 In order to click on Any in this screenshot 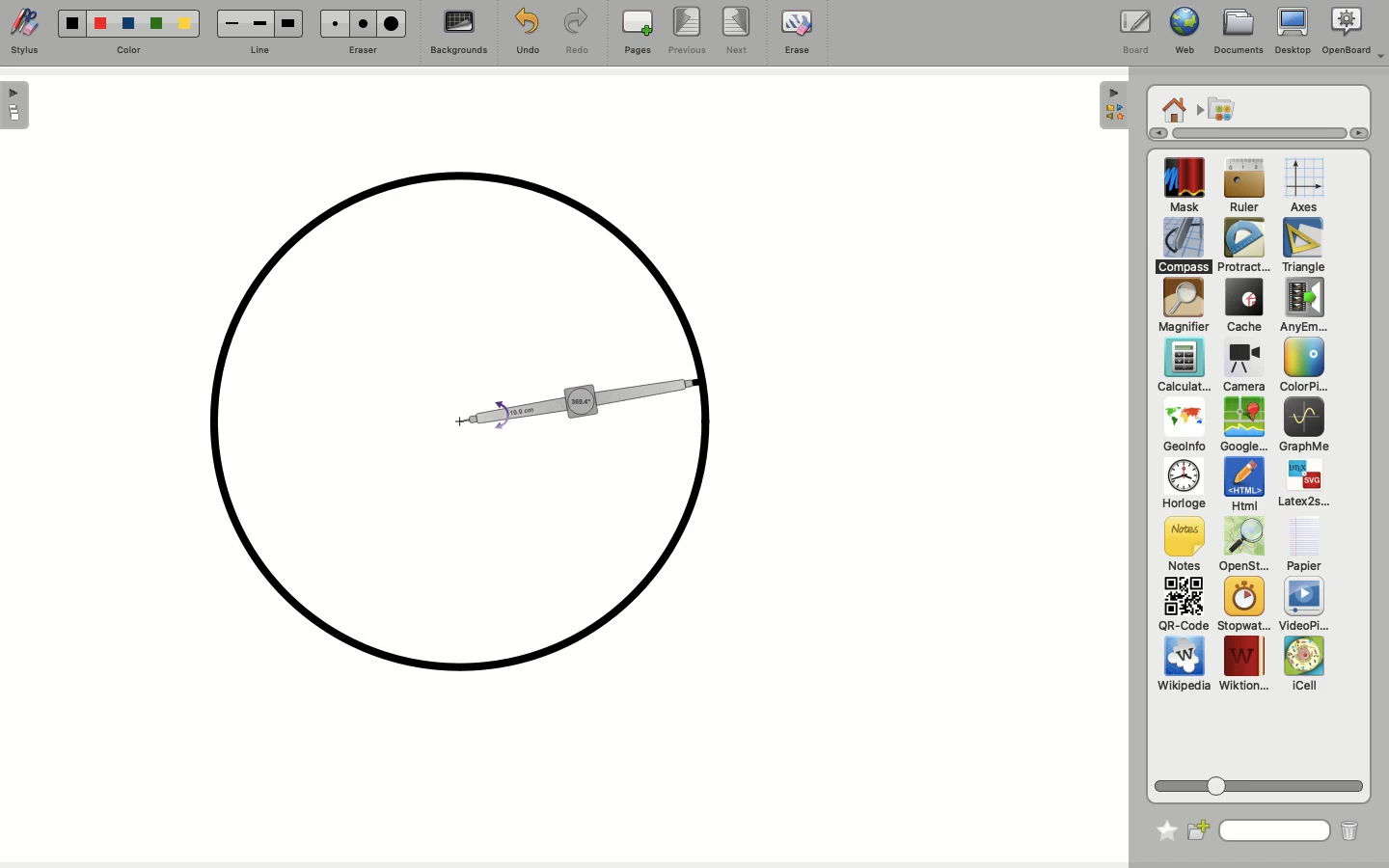, I will do `click(1303, 306)`.